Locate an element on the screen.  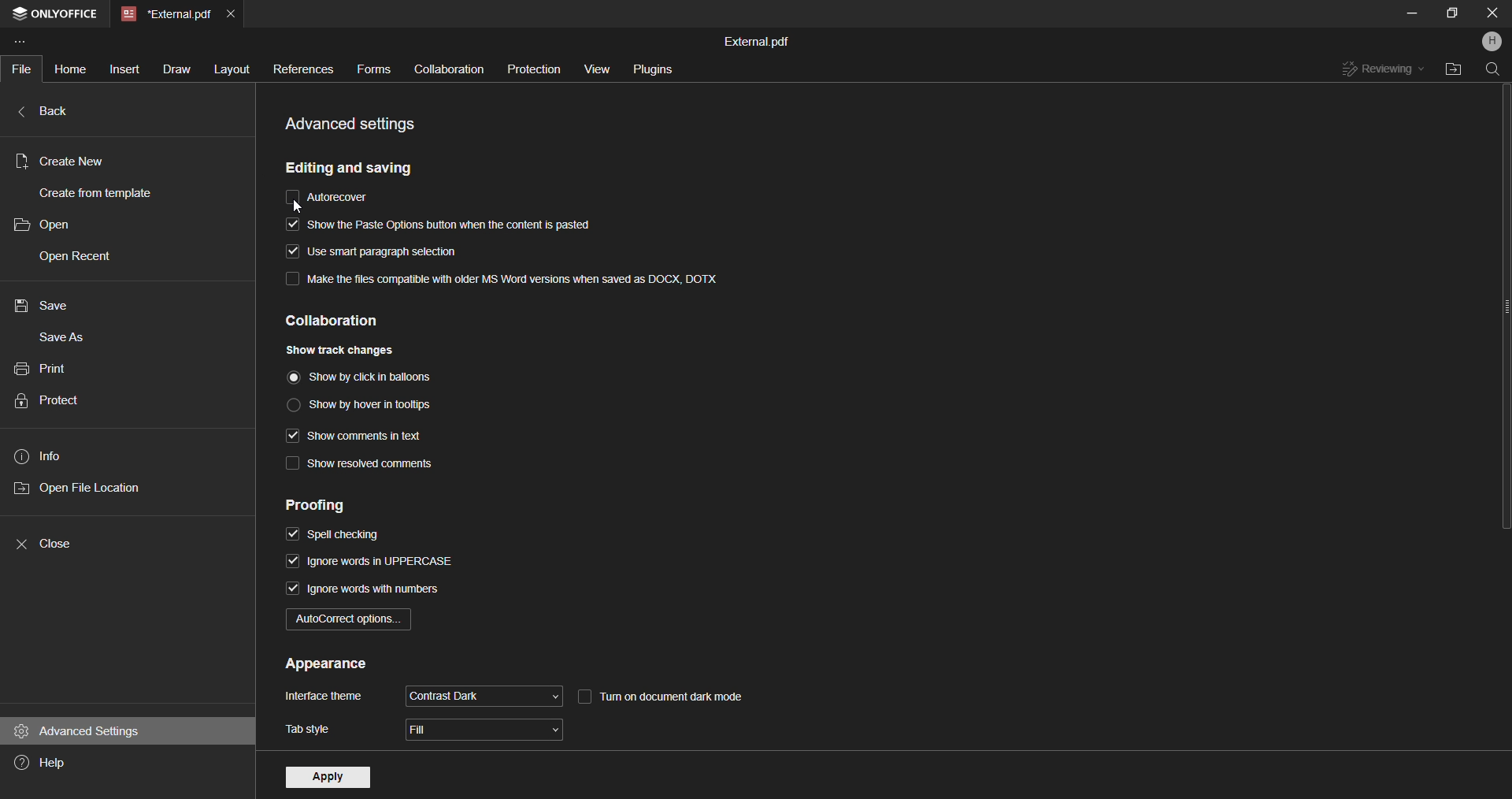
View is located at coordinates (595, 68).